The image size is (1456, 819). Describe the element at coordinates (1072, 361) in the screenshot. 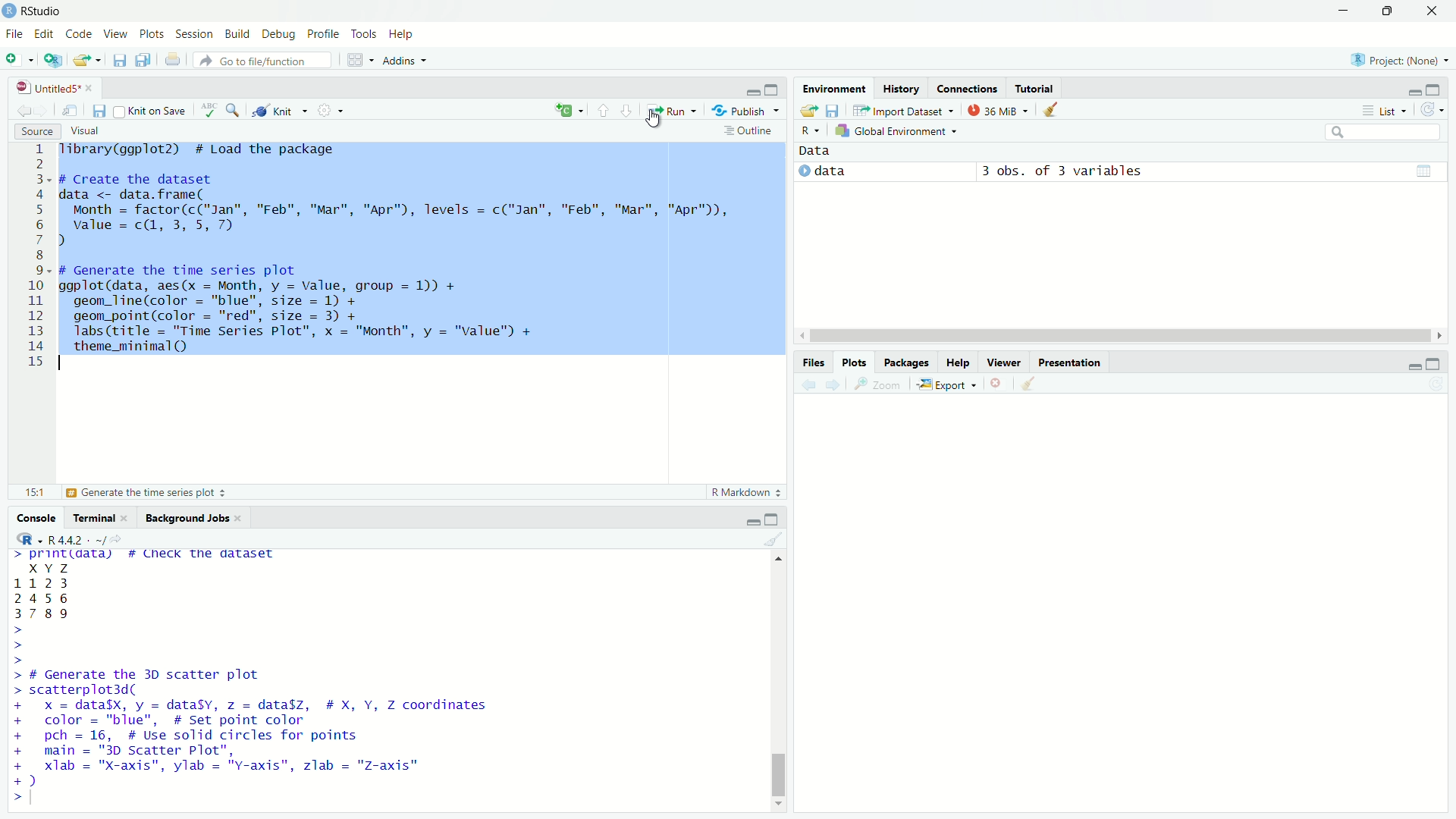

I see `presentations` at that location.